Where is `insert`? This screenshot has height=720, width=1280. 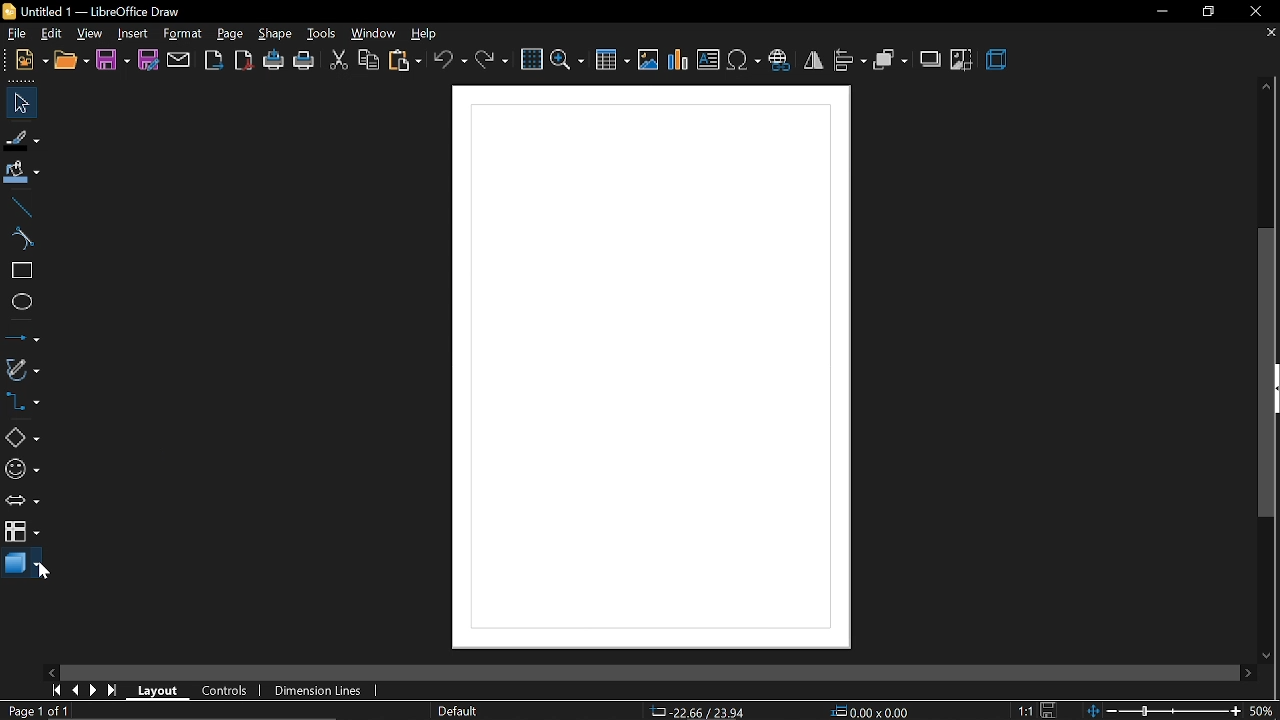
insert is located at coordinates (133, 33).